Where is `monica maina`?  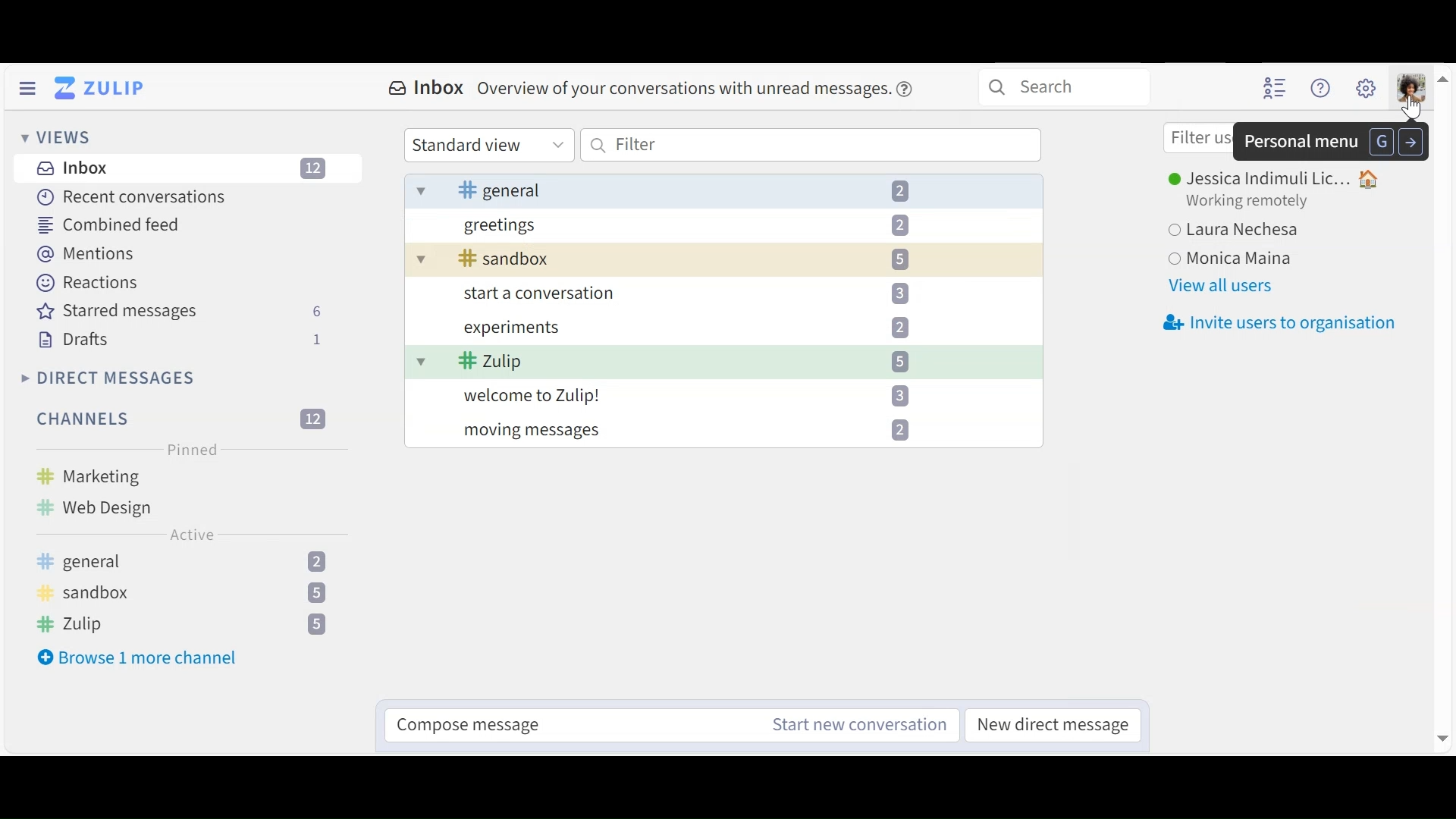 monica maina is located at coordinates (1256, 260).